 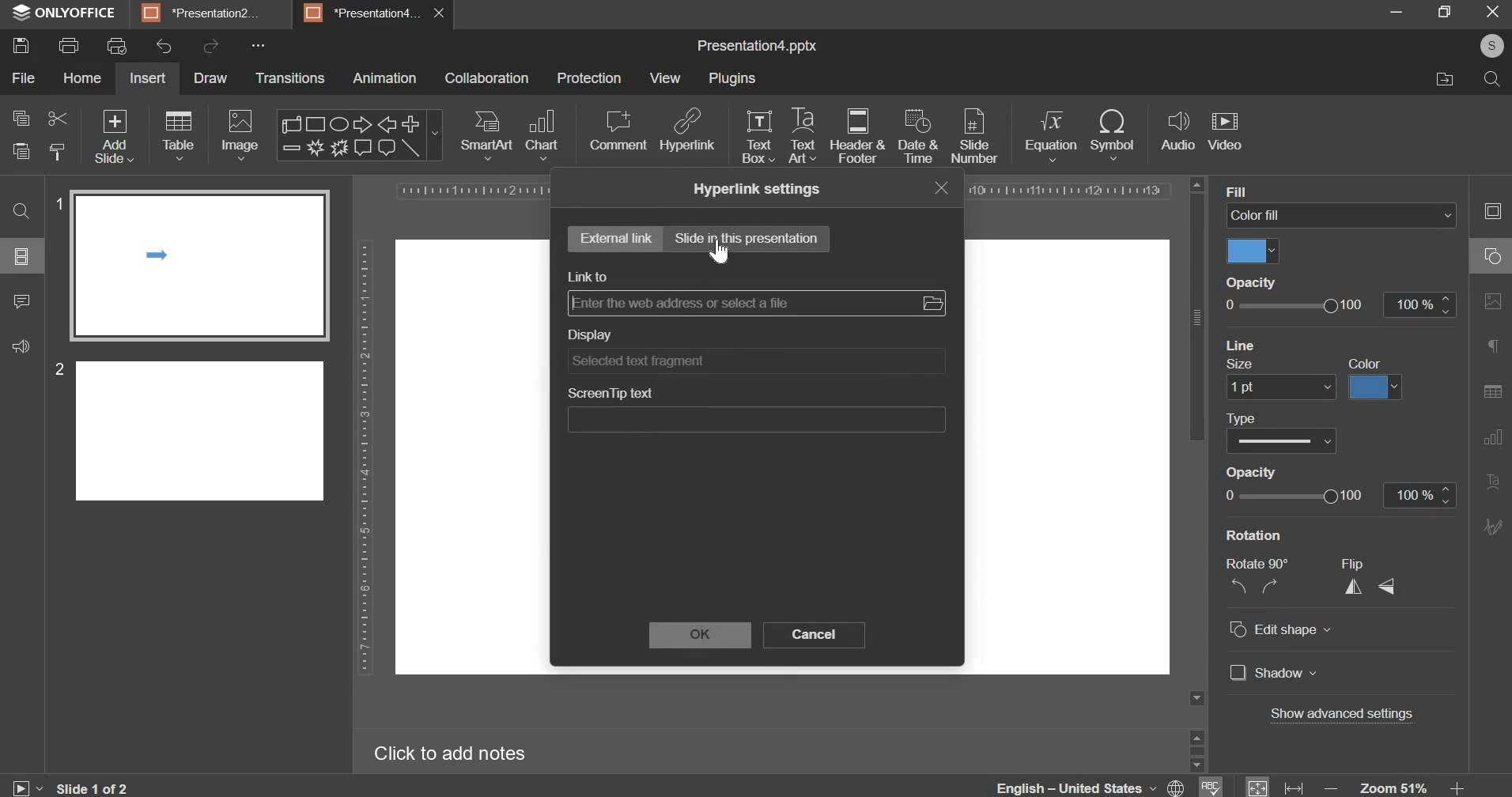 I want to click on animation, so click(x=384, y=80).